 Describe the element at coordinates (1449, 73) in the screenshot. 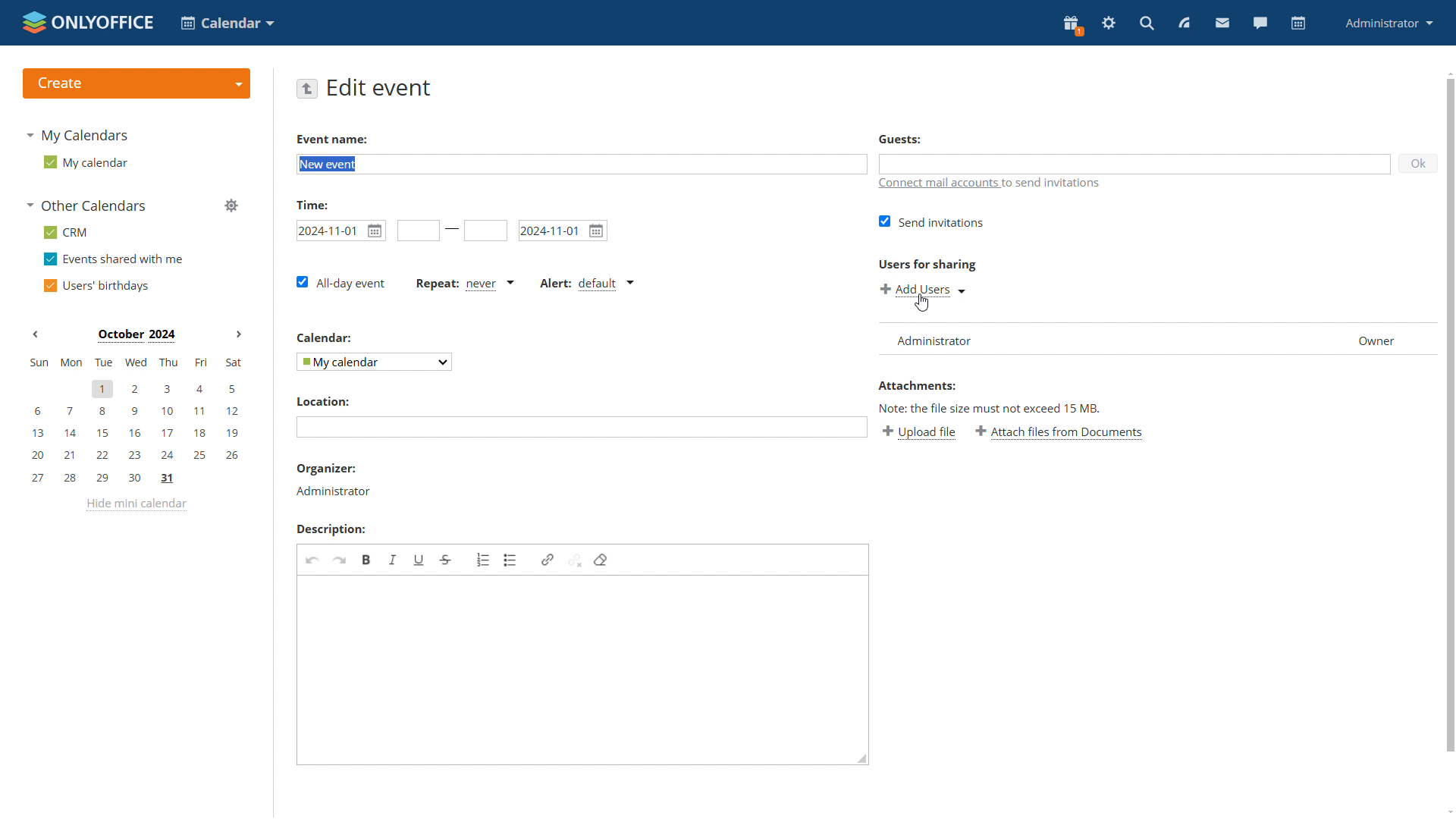

I see `scroll up` at that location.